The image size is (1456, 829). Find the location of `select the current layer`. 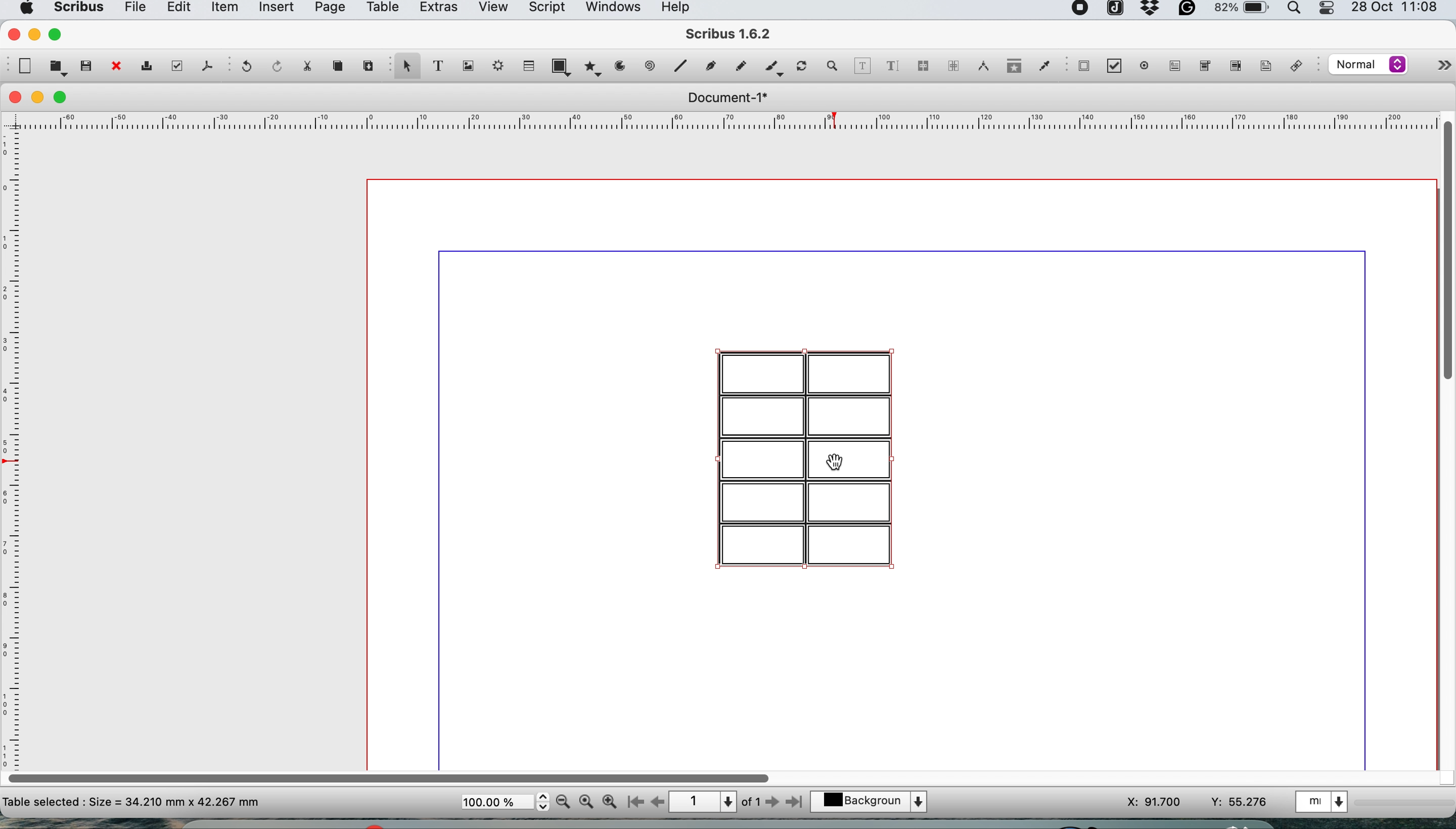

select the current layer is located at coordinates (875, 803).